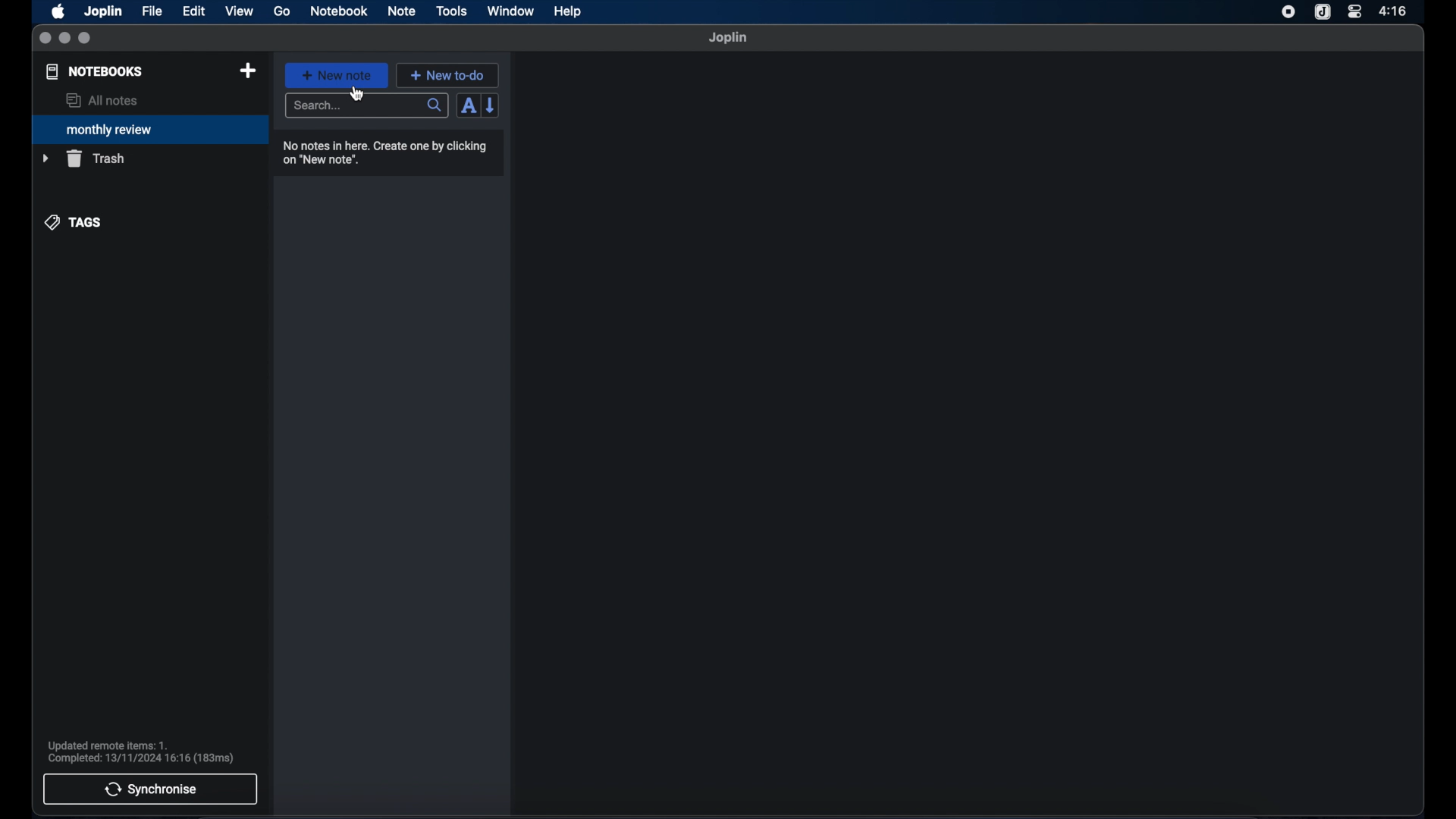 The image size is (1456, 819). Describe the element at coordinates (105, 12) in the screenshot. I see `Joplin` at that location.